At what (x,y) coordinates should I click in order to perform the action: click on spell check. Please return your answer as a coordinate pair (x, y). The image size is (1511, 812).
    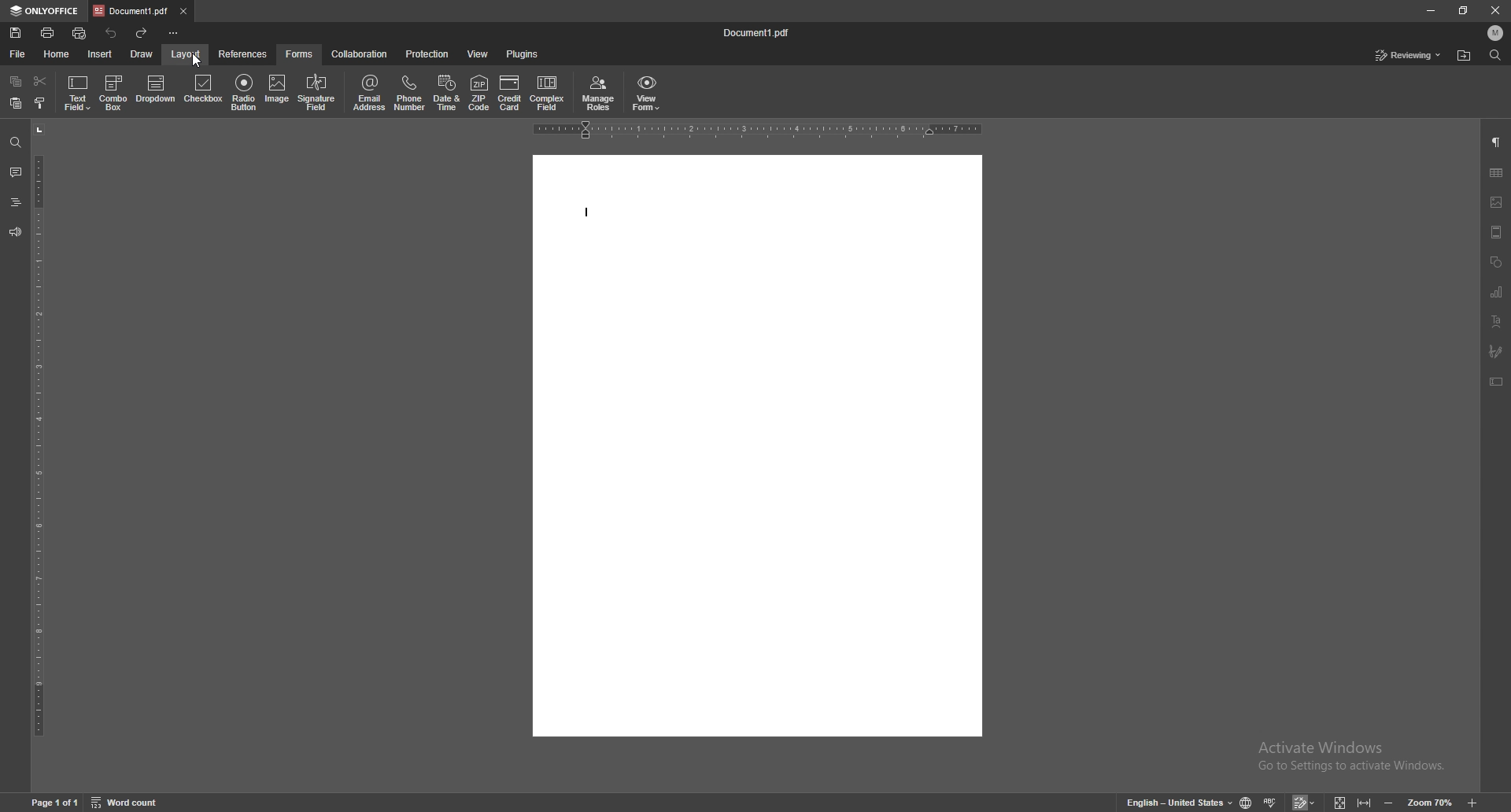
    Looking at the image, I should click on (1271, 802).